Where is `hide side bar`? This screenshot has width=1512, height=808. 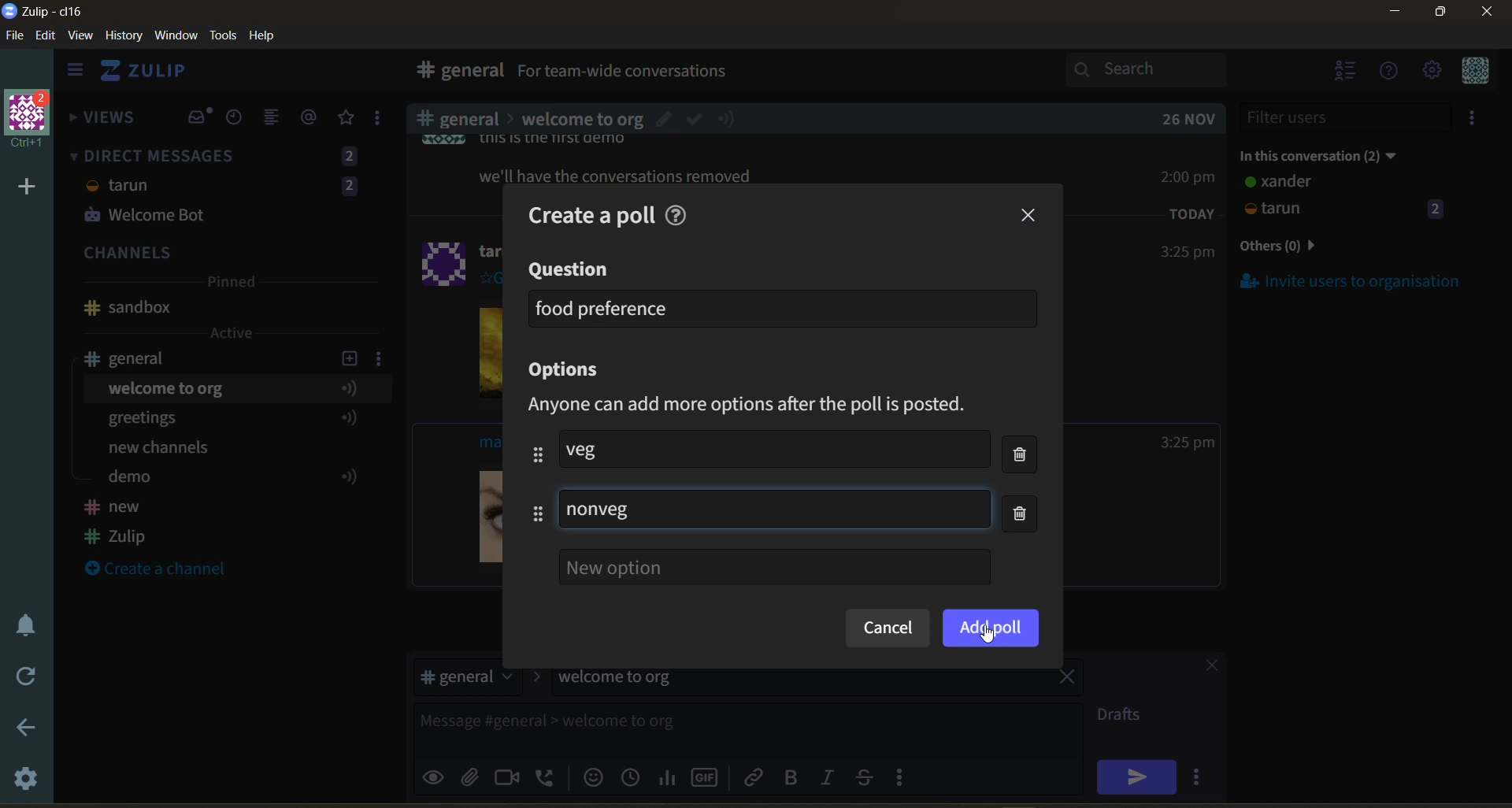 hide side bar is located at coordinates (75, 73).